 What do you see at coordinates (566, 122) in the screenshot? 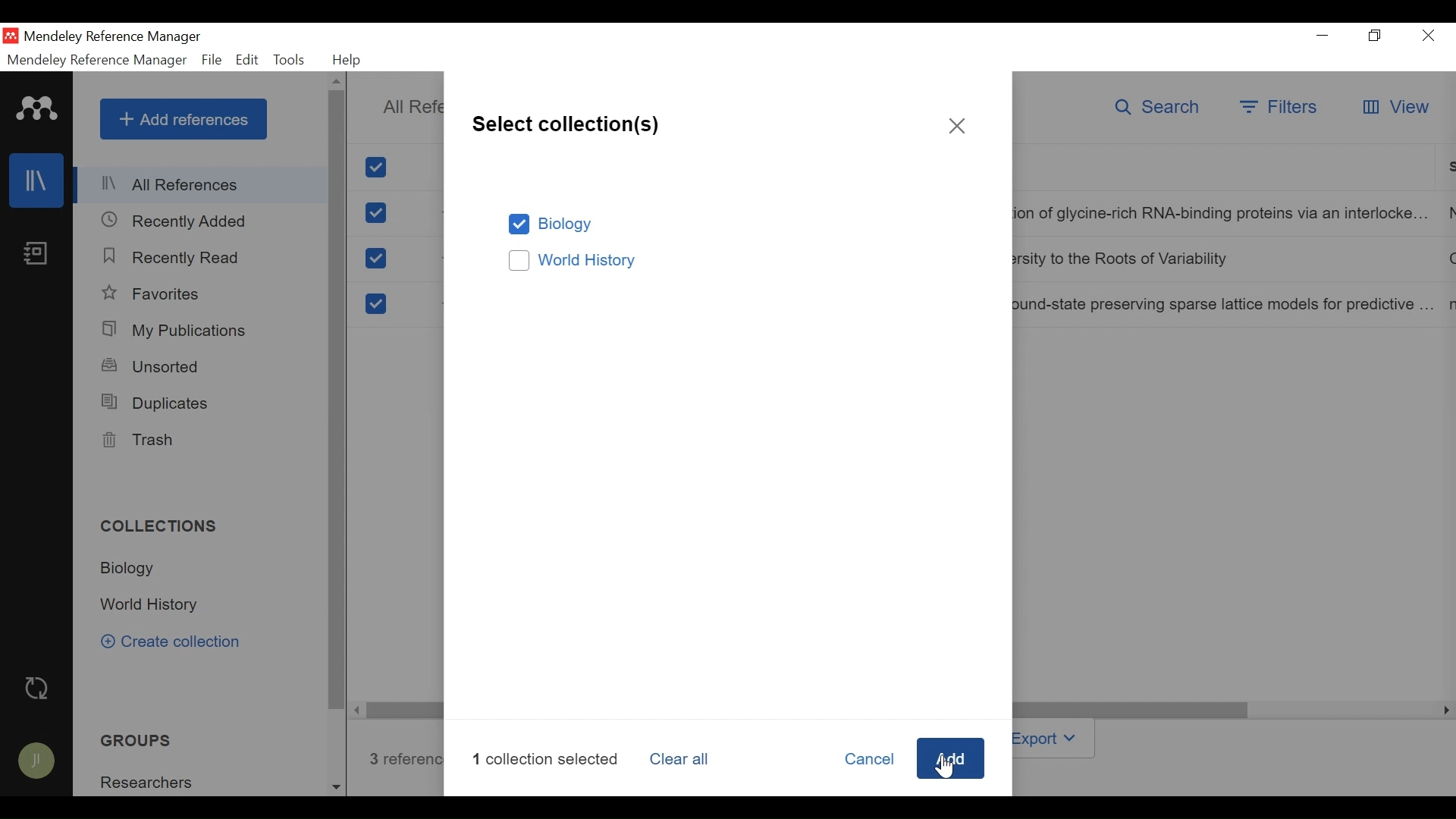
I see `Select Collection(s)` at bounding box center [566, 122].